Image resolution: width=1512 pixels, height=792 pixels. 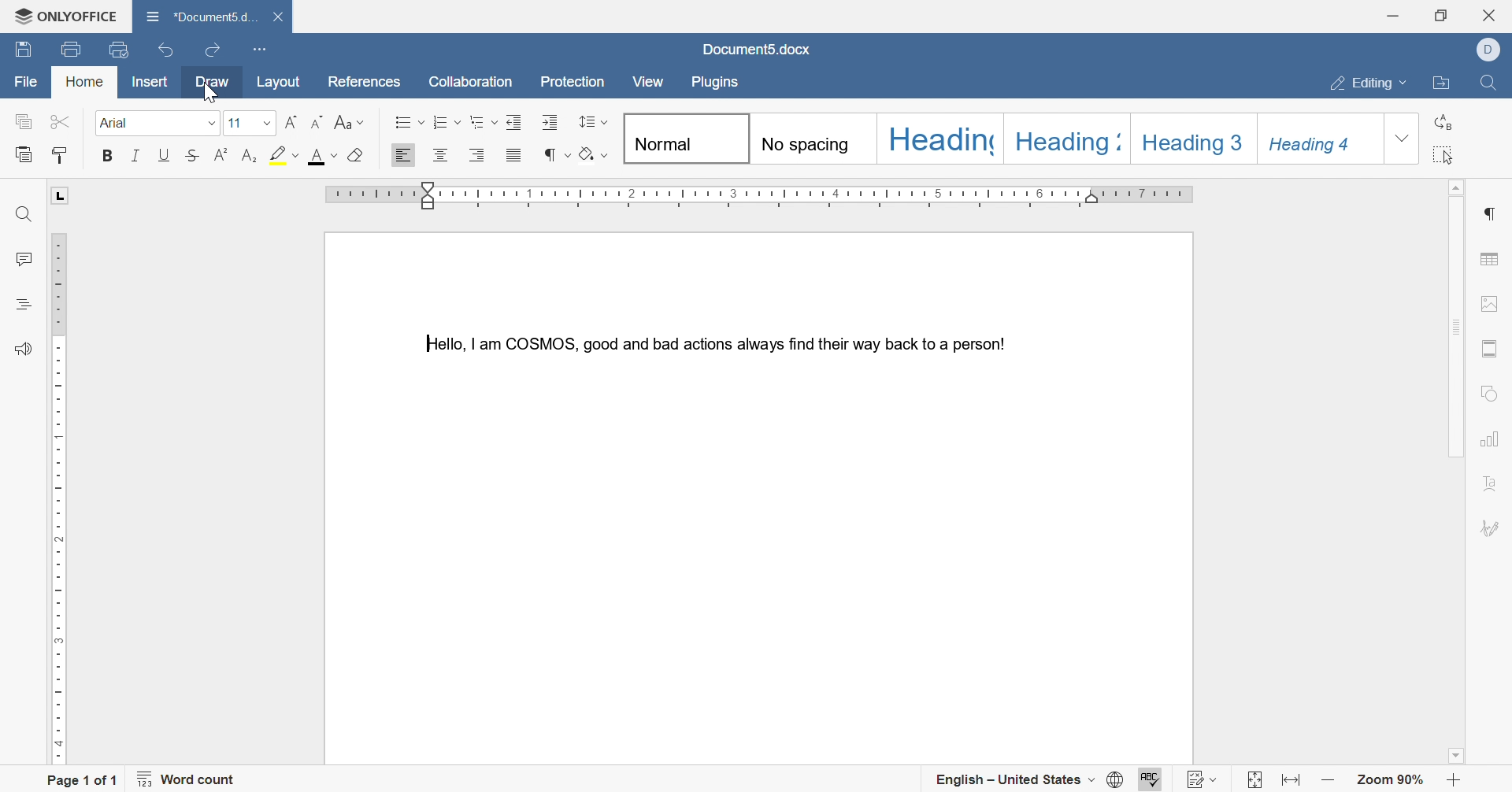 I want to click on restore down, so click(x=1441, y=15).